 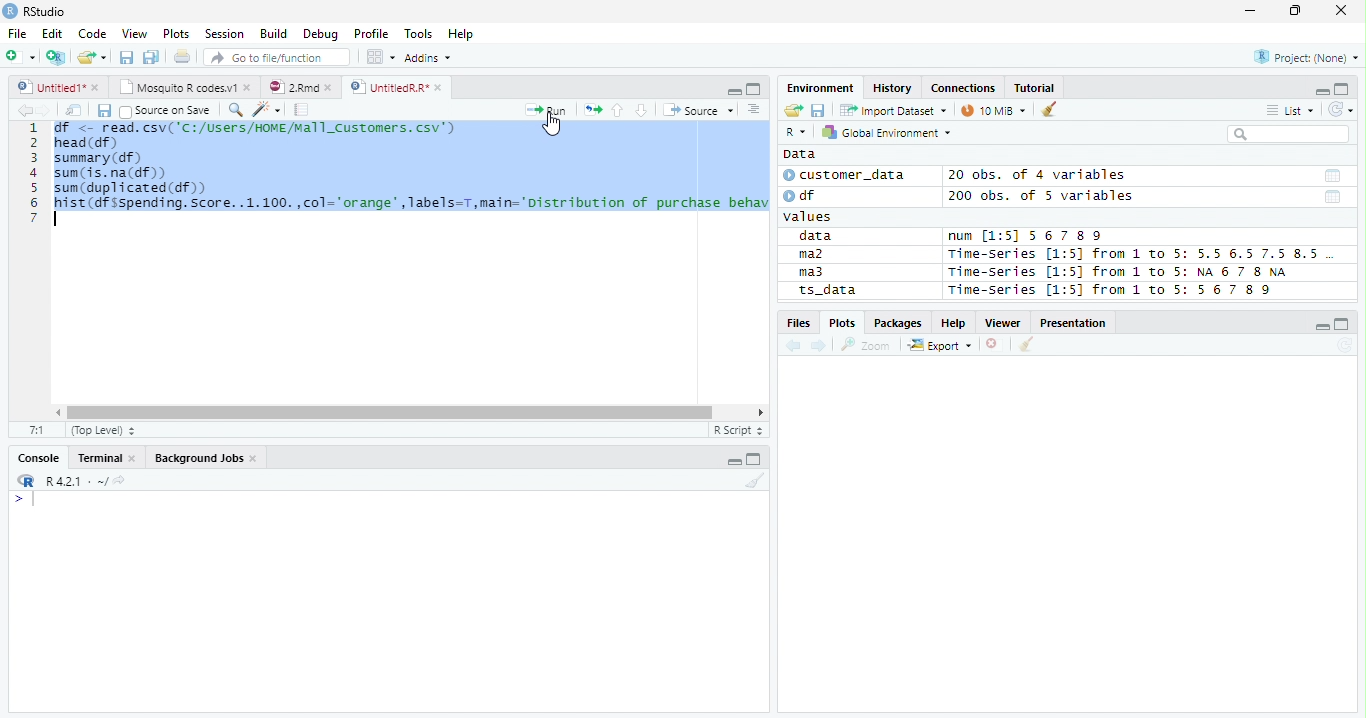 What do you see at coordinates (963, 88) in the screenshot?
I see `Connections` at bounding box center [963, 88].